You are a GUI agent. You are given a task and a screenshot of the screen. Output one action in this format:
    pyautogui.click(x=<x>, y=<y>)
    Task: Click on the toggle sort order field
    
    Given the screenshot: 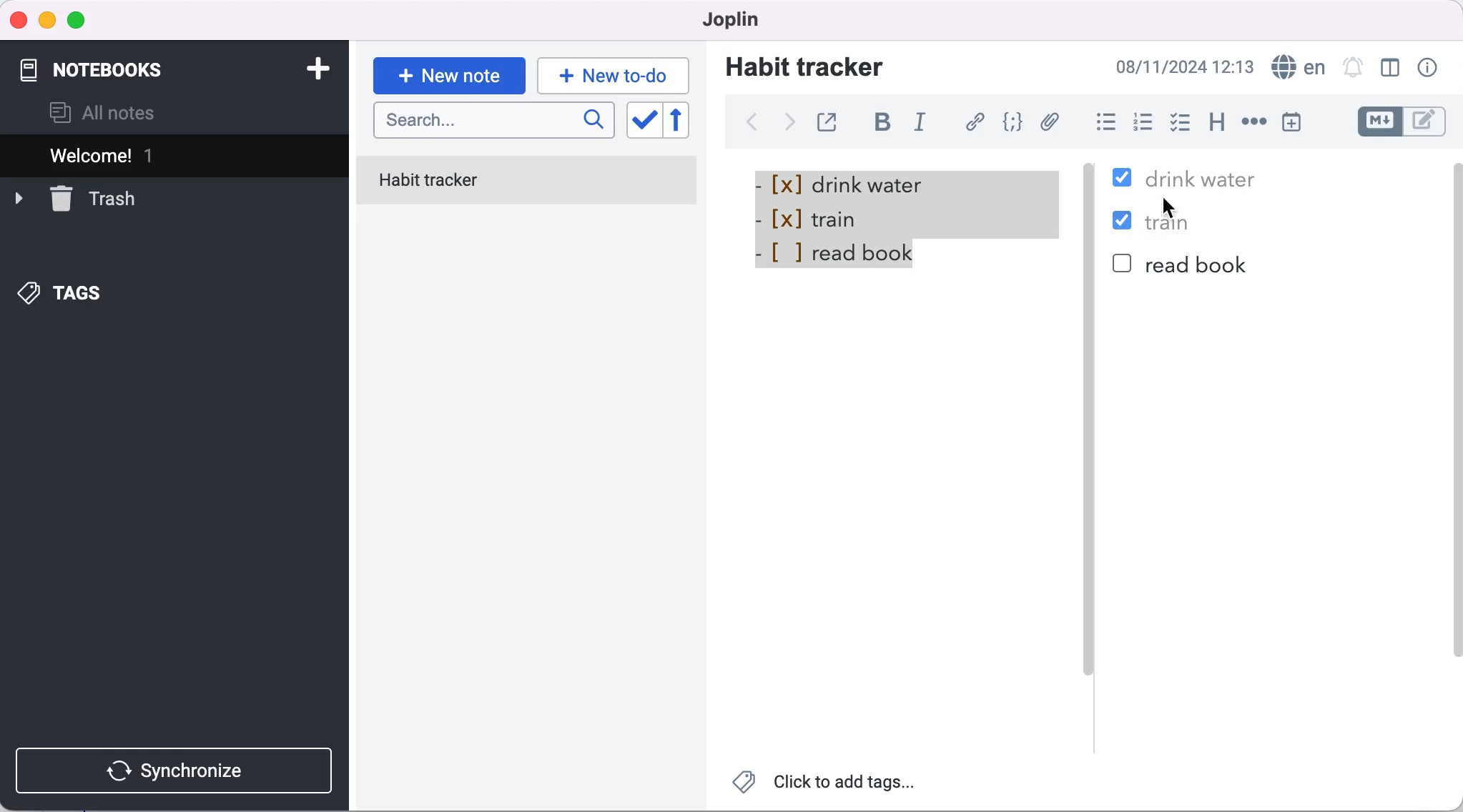 What is the action you would take?
    pyautogui.click(x=643, y=122)
    